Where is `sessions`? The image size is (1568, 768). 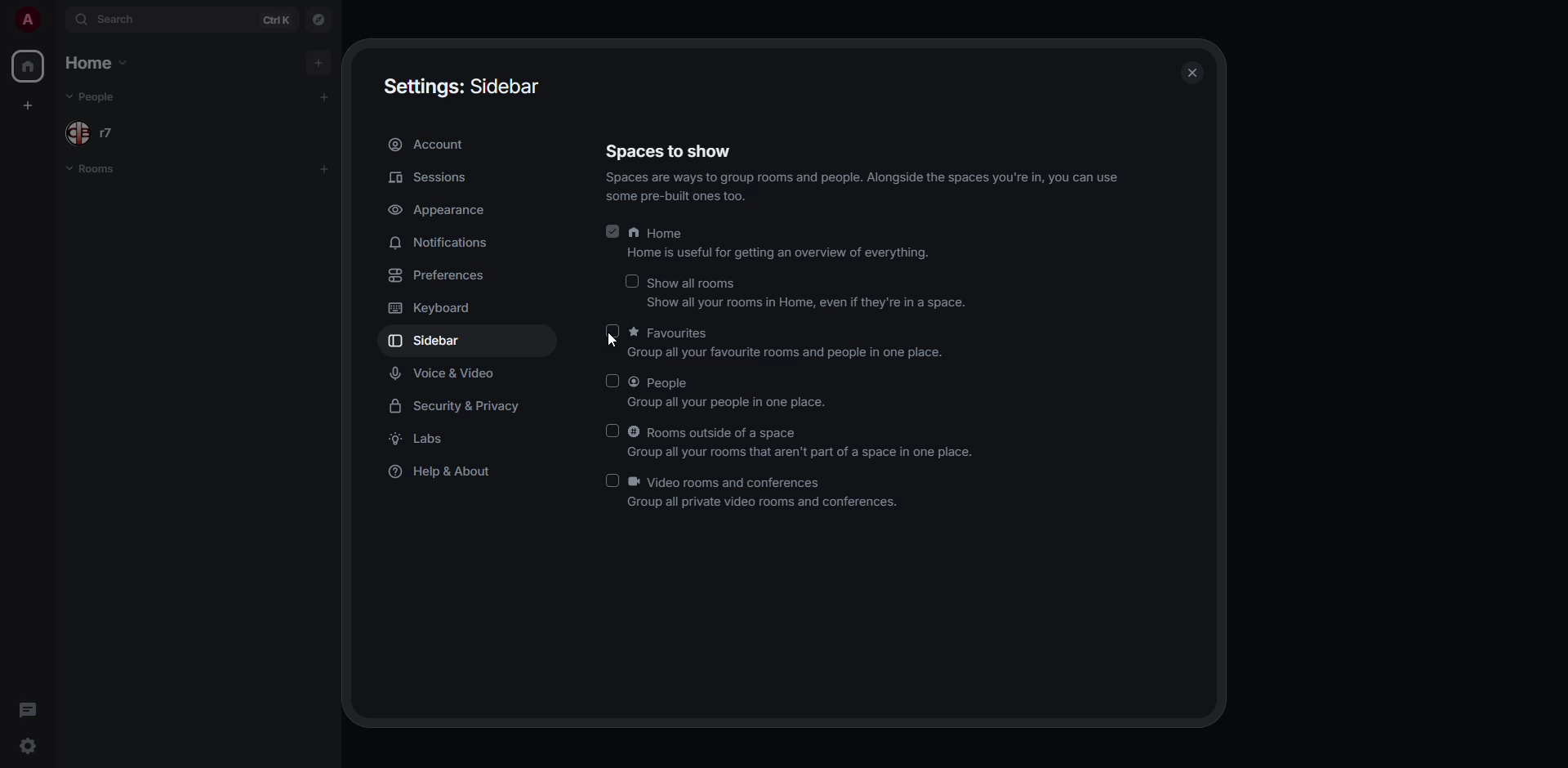 sessions is located at coordinates (430, 176).